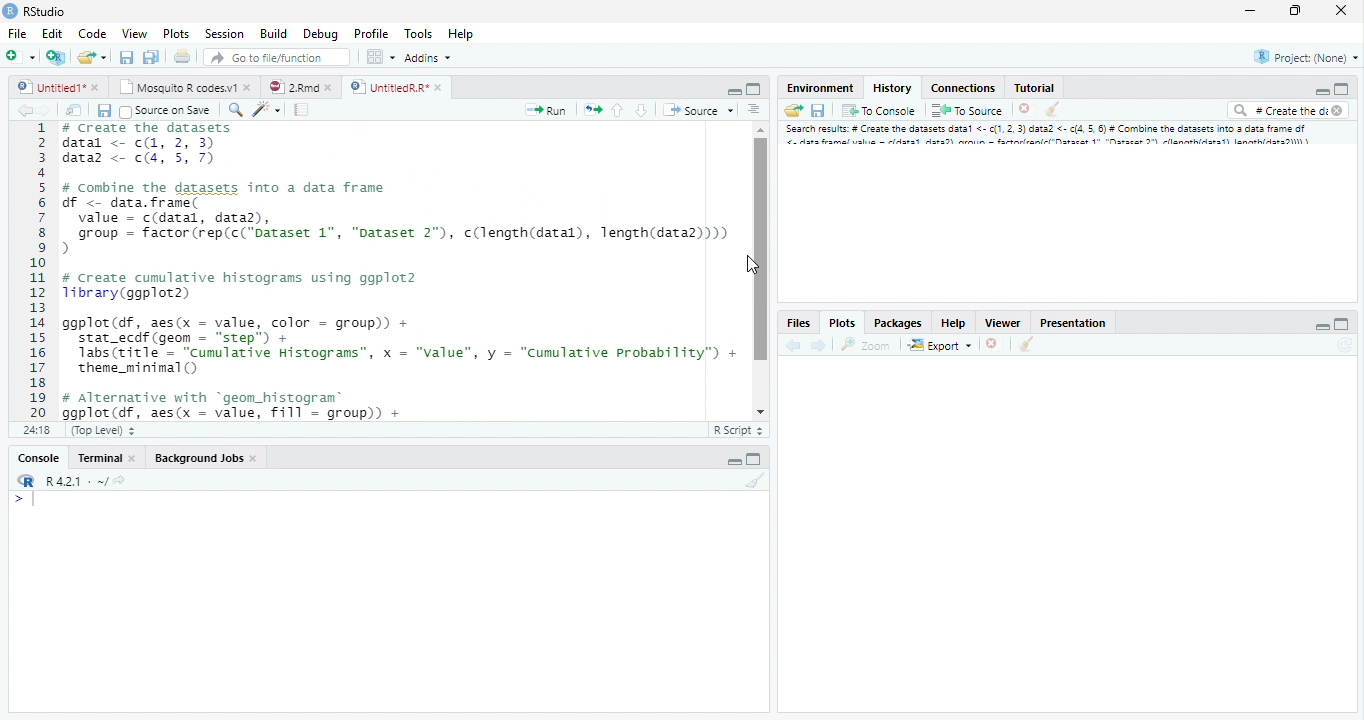 Image resolution: width=1364 pixels, height=720 pixels. I want to click on Build, so click(275, 34).